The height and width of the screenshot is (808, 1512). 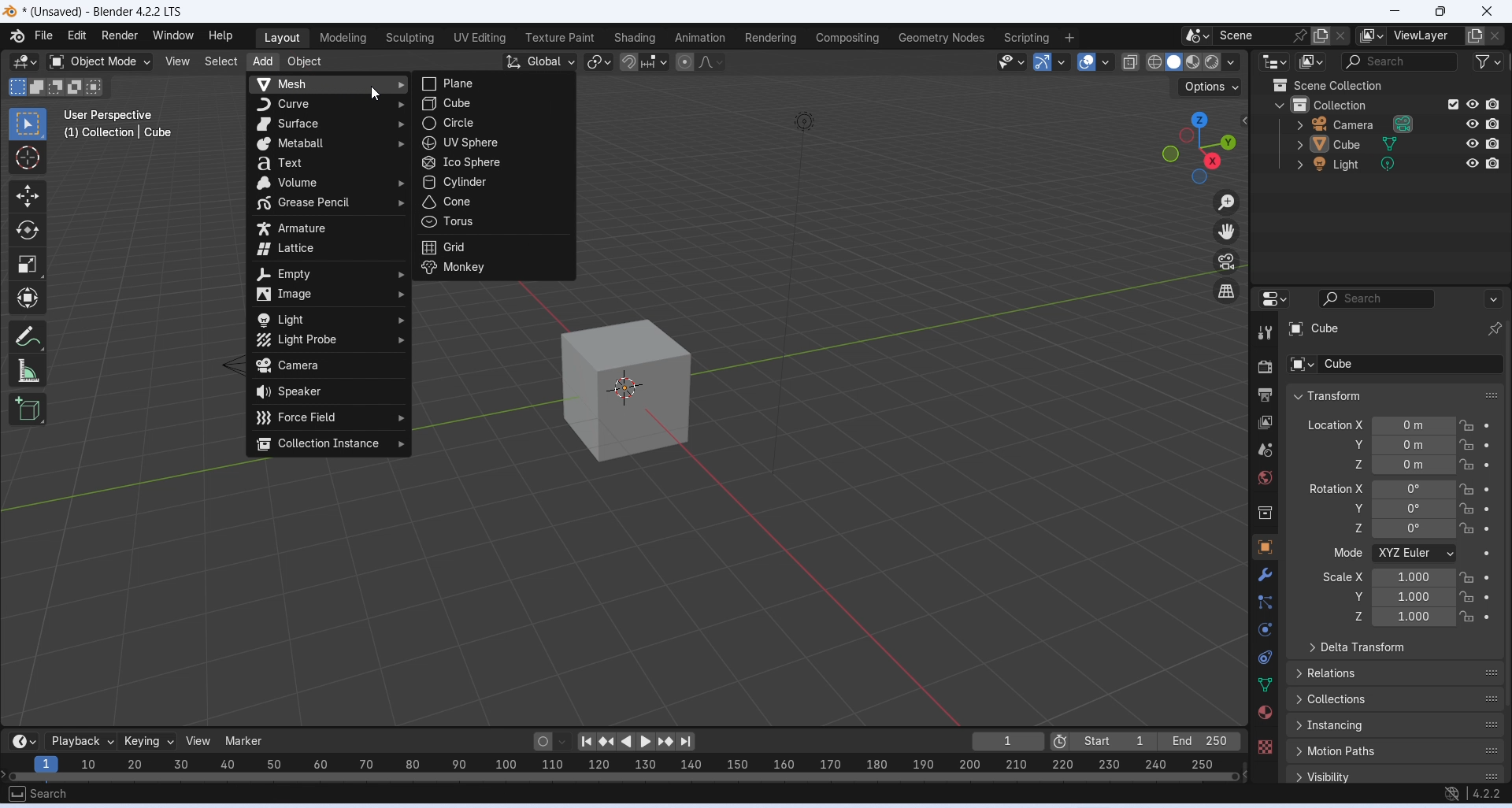 I want to click on Cube layer, so click(x=1391, y=328).